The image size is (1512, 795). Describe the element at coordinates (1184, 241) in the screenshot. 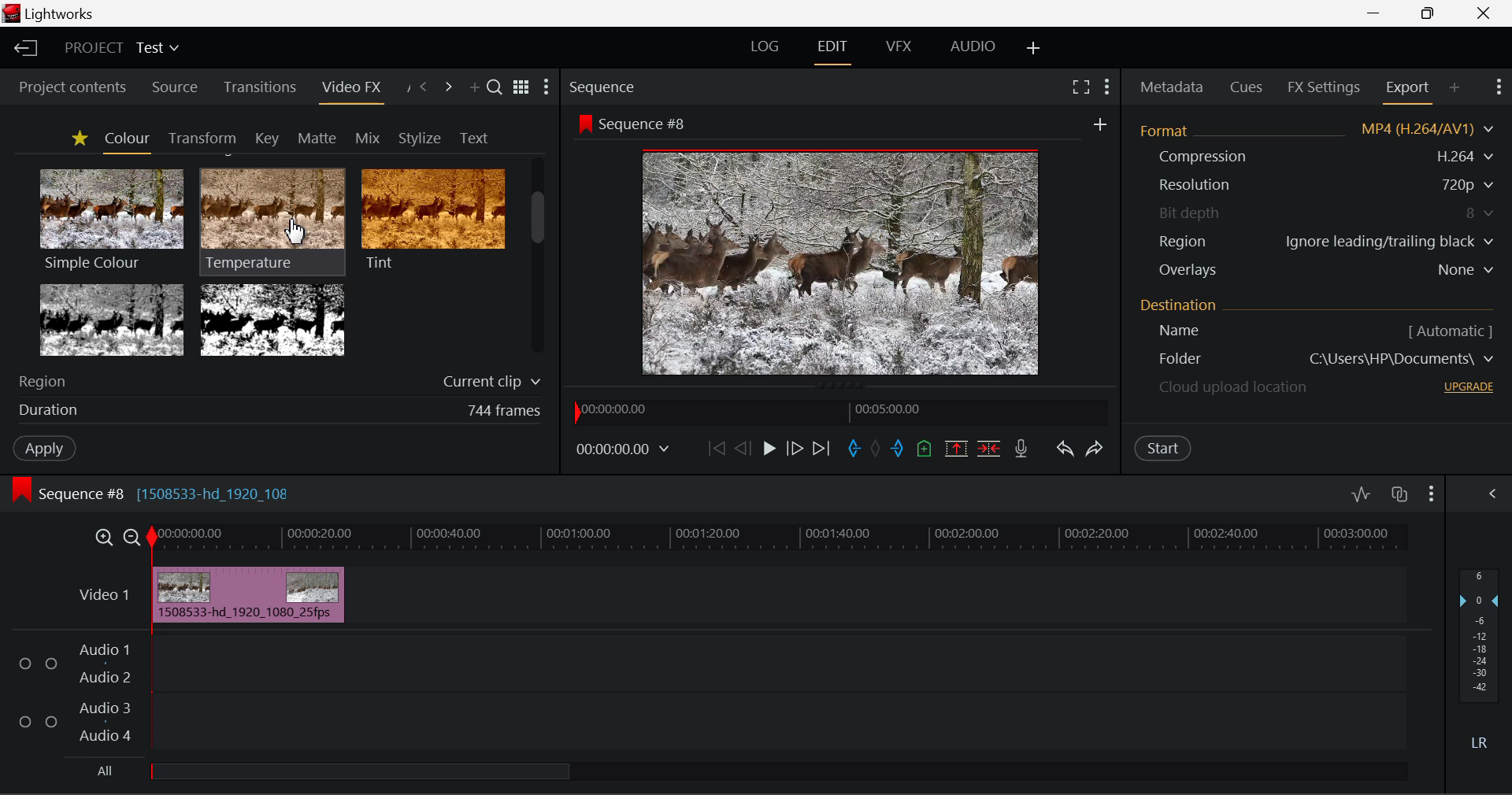

I see `Region` at that location.